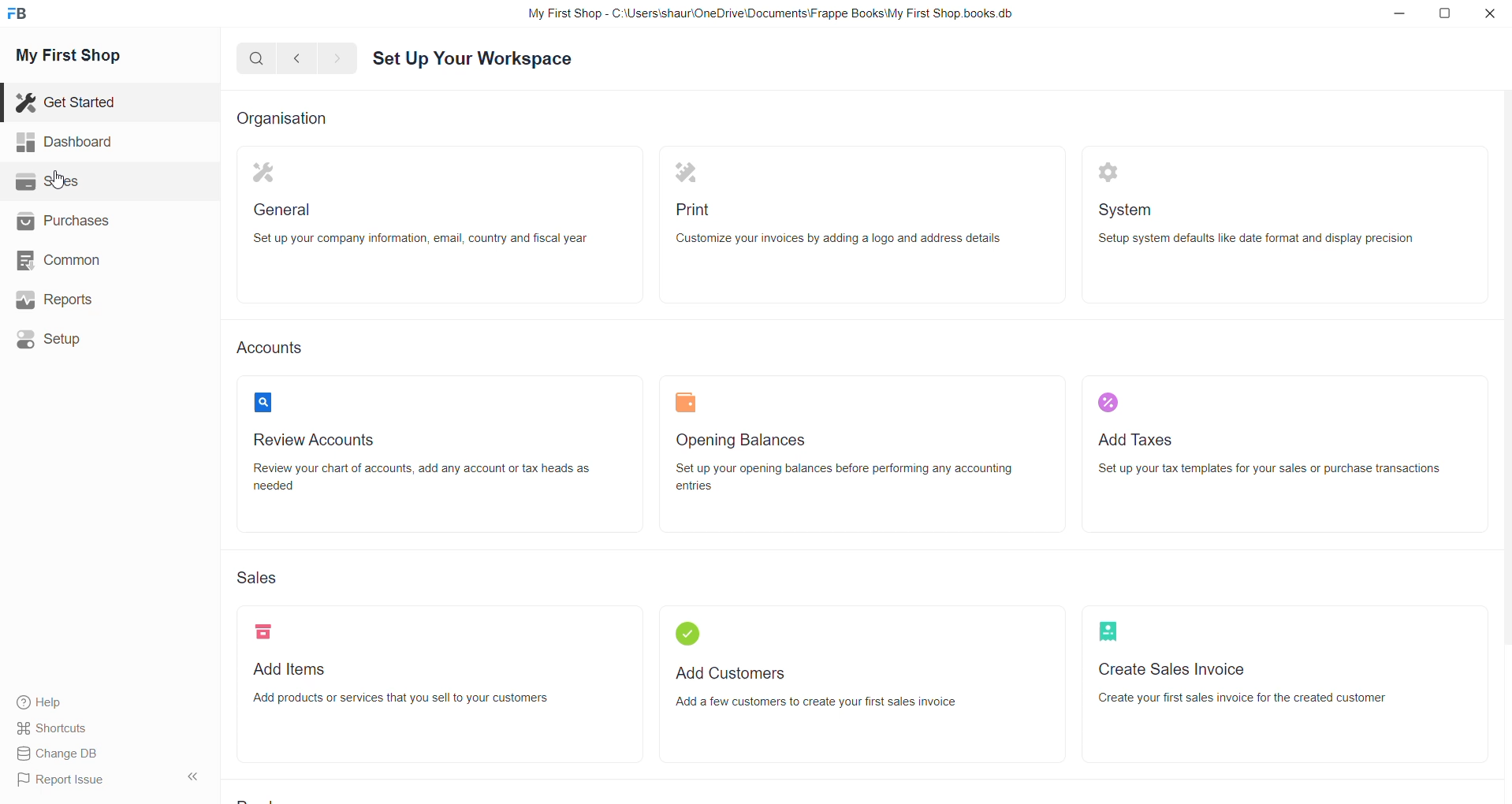 The image size is (1512, 804). I want to click on Add taxes, so click(1282, 454).